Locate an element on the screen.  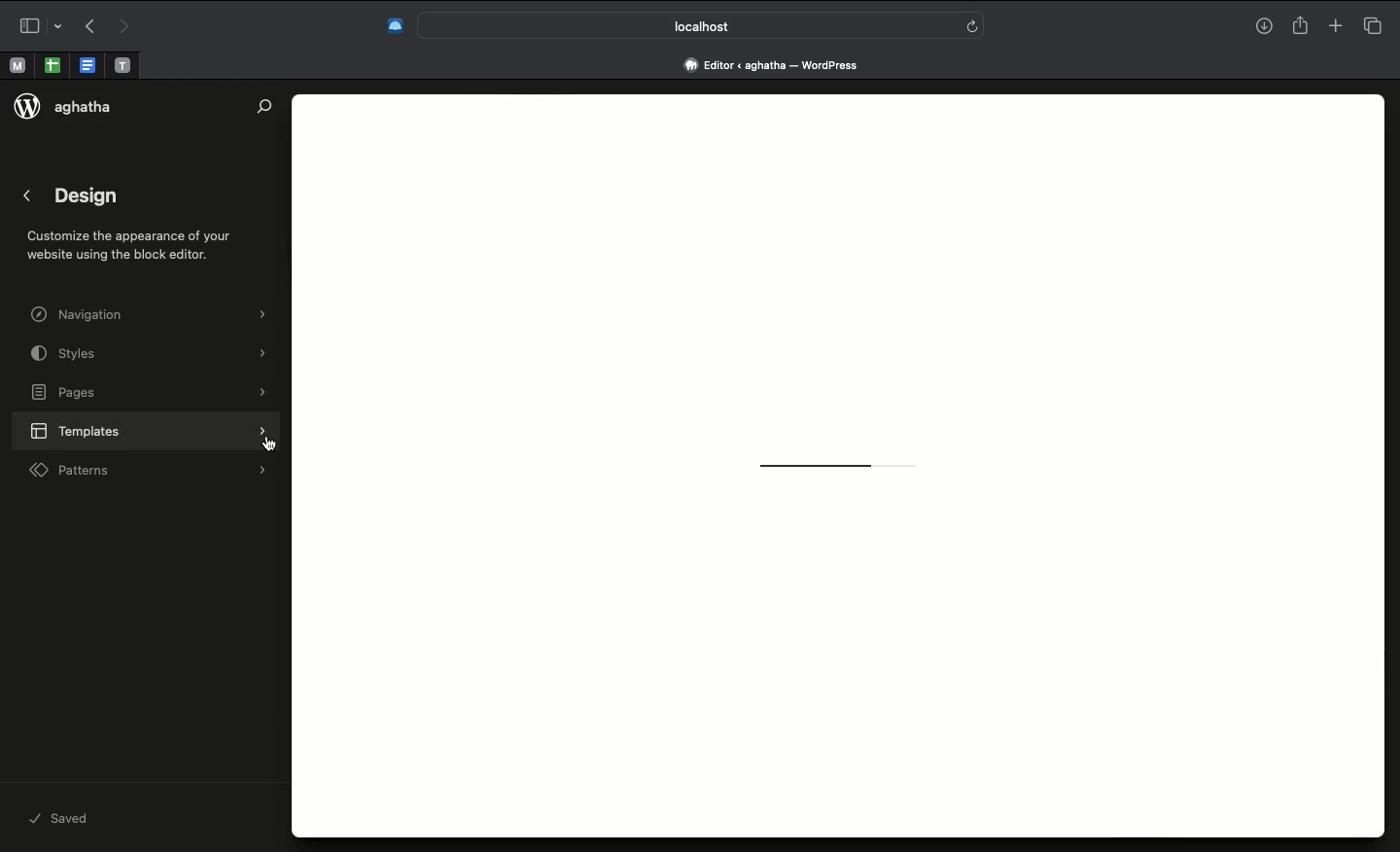
Back is located at coordinates (89, 27).